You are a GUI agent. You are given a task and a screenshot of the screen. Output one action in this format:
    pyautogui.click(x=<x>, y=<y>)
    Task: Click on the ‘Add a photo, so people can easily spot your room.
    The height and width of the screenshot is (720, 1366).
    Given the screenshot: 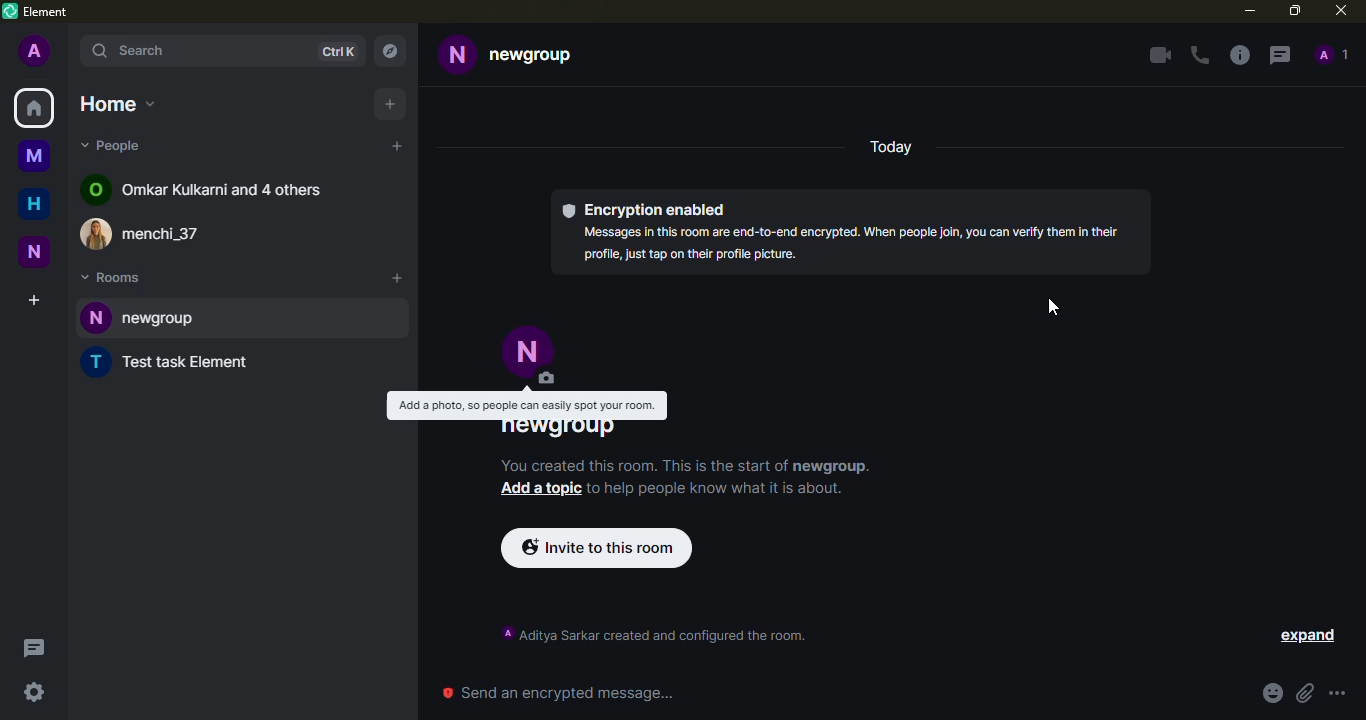 What is the action you would take?
    pyautogui.click(x=526, y=405)
    